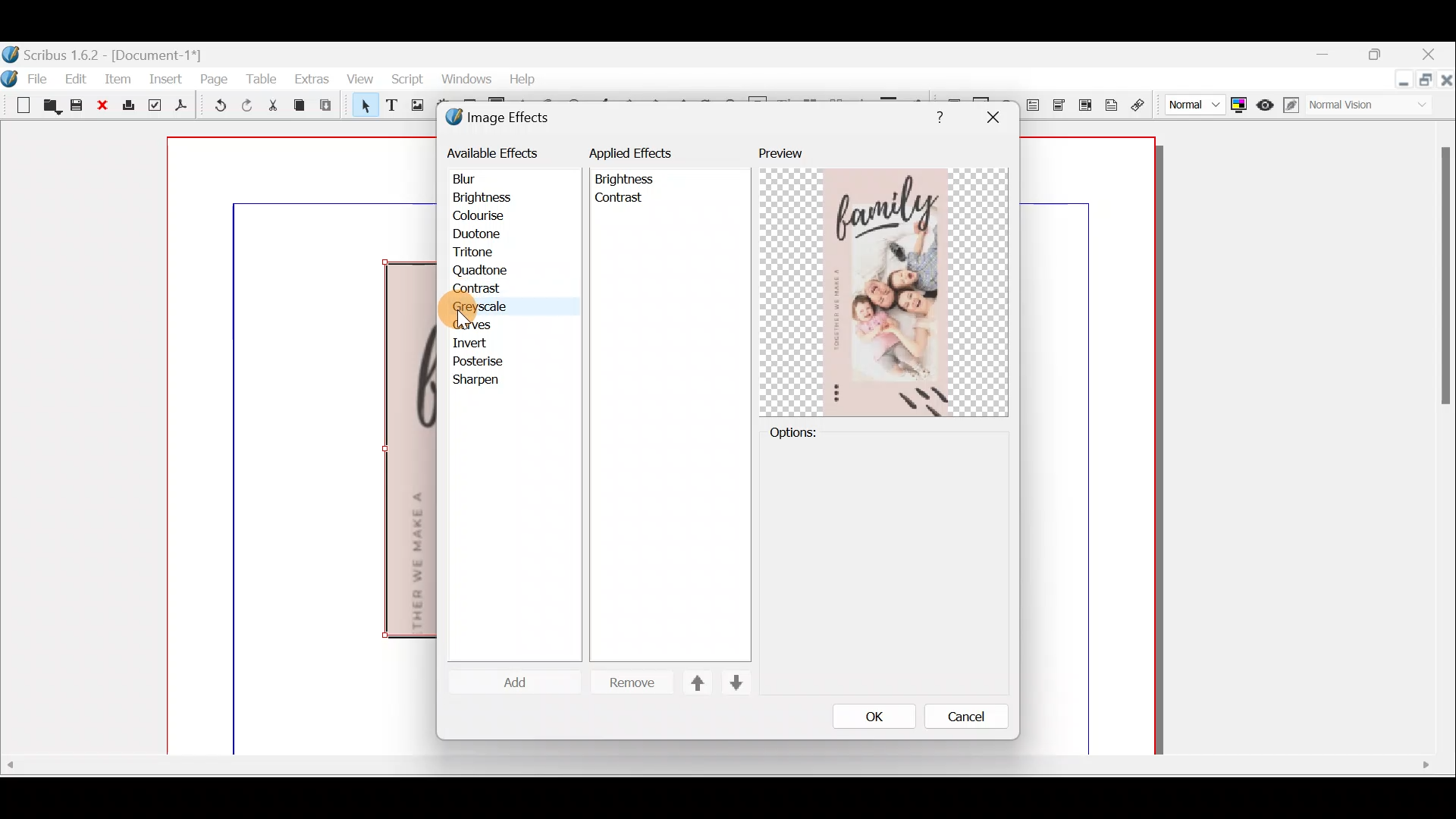 The height and width of the screenshot is (819, 1456). I want to click on Paste, so click(329, 105).